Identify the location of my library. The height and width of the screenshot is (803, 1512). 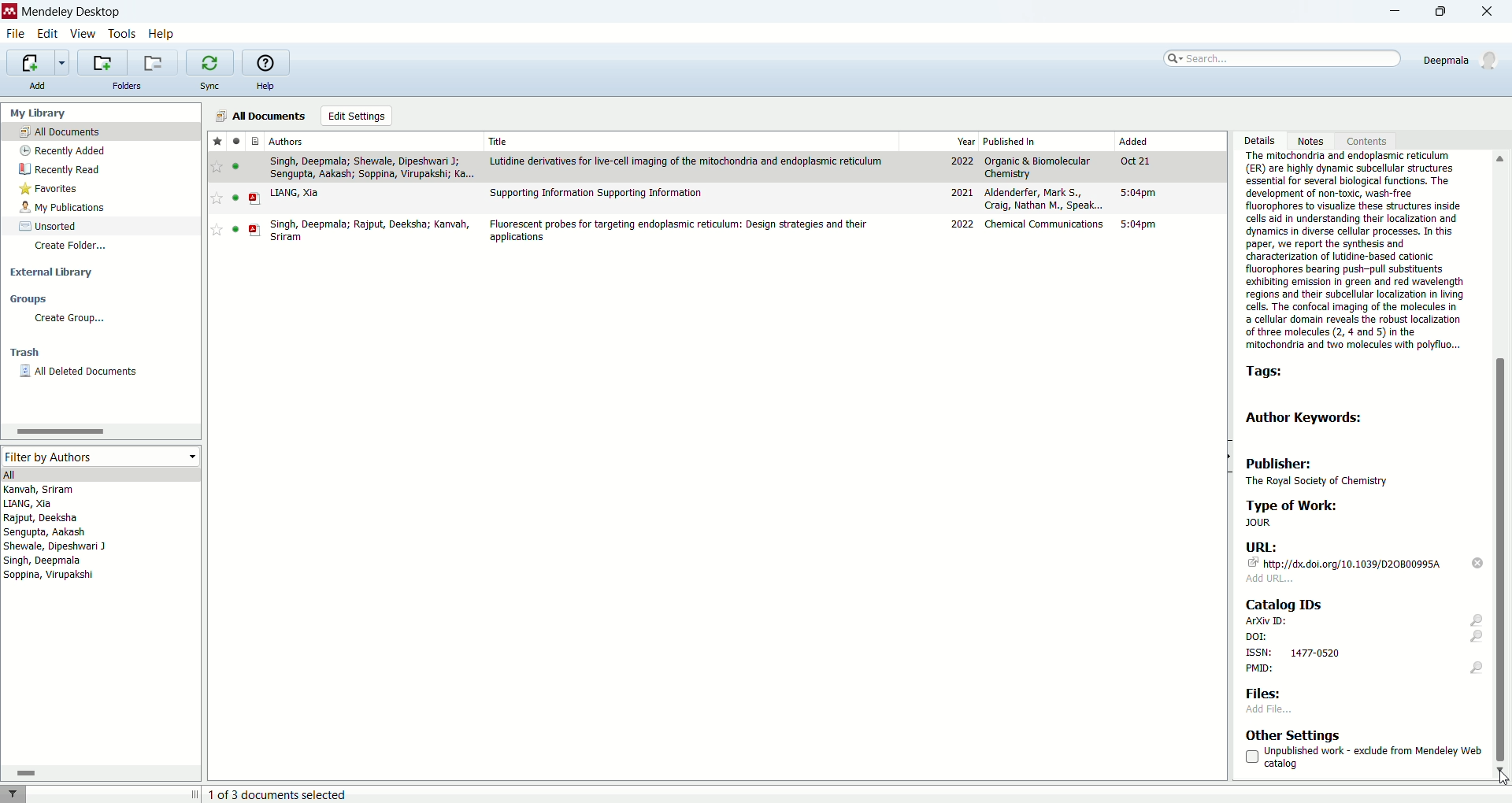
(36, 113).